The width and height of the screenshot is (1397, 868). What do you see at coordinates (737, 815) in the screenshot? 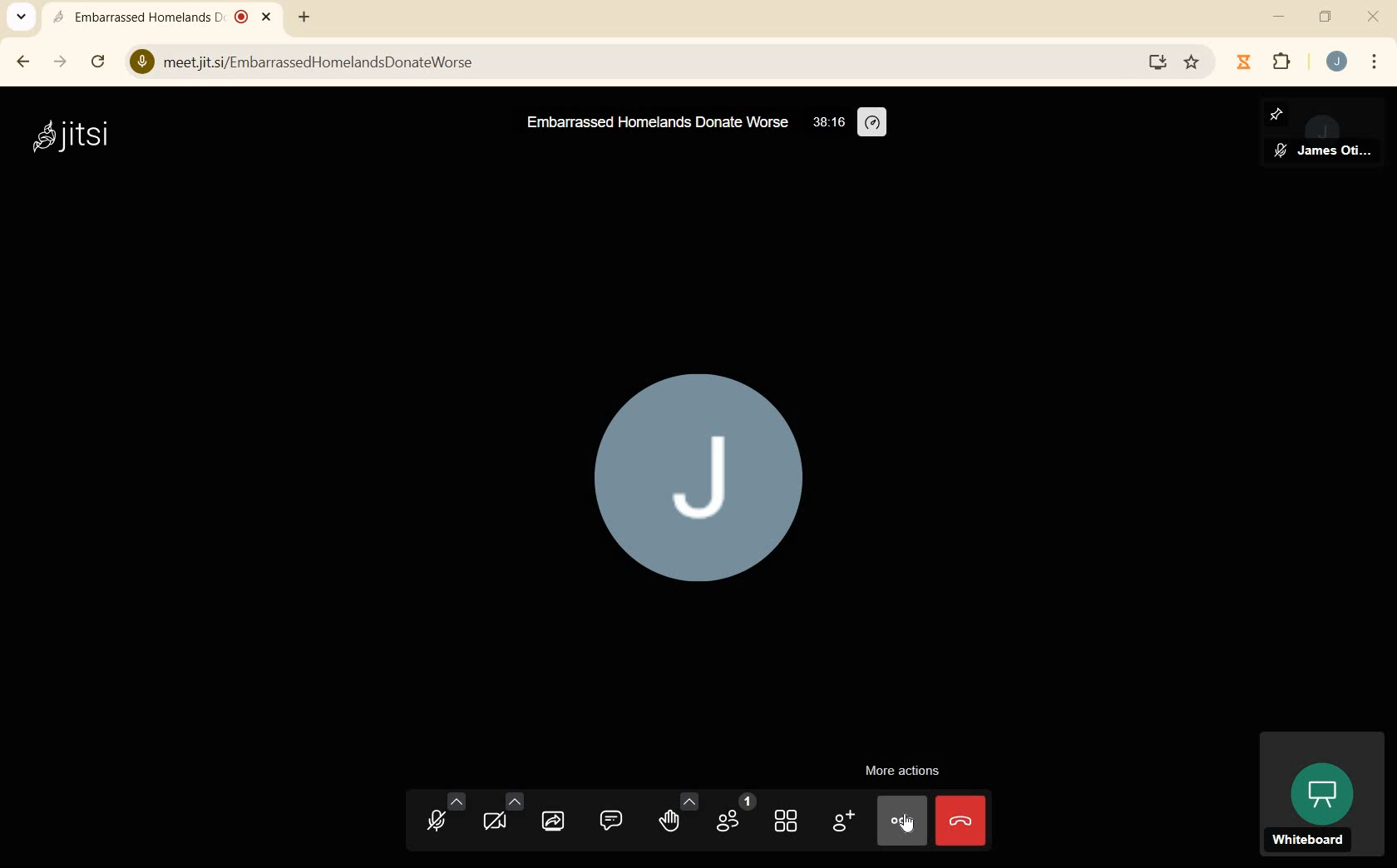
I see `participants` at bounding box center [737, 815].